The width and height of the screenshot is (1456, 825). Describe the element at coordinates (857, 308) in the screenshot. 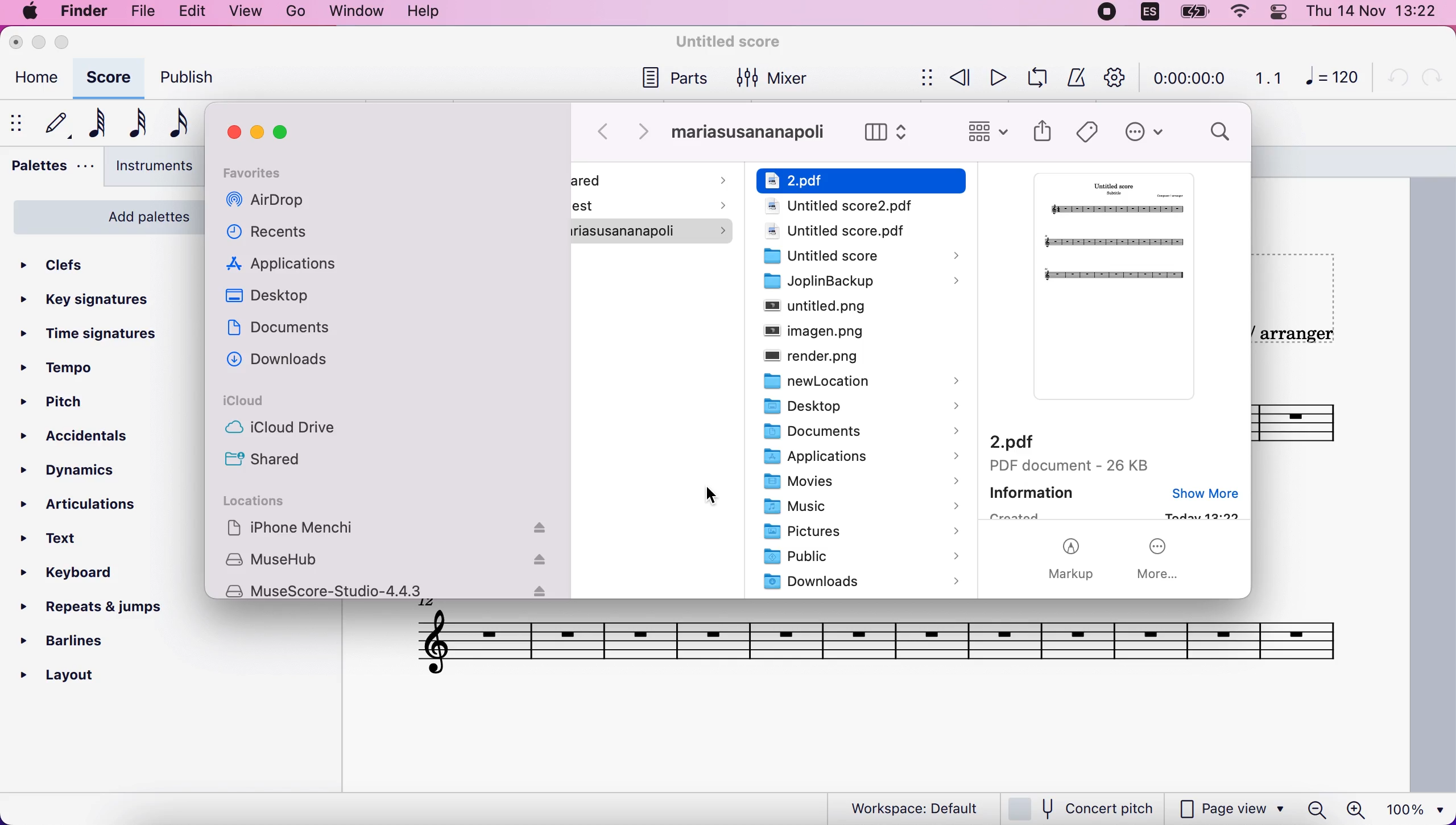

I see `= untitled.png` at that location.